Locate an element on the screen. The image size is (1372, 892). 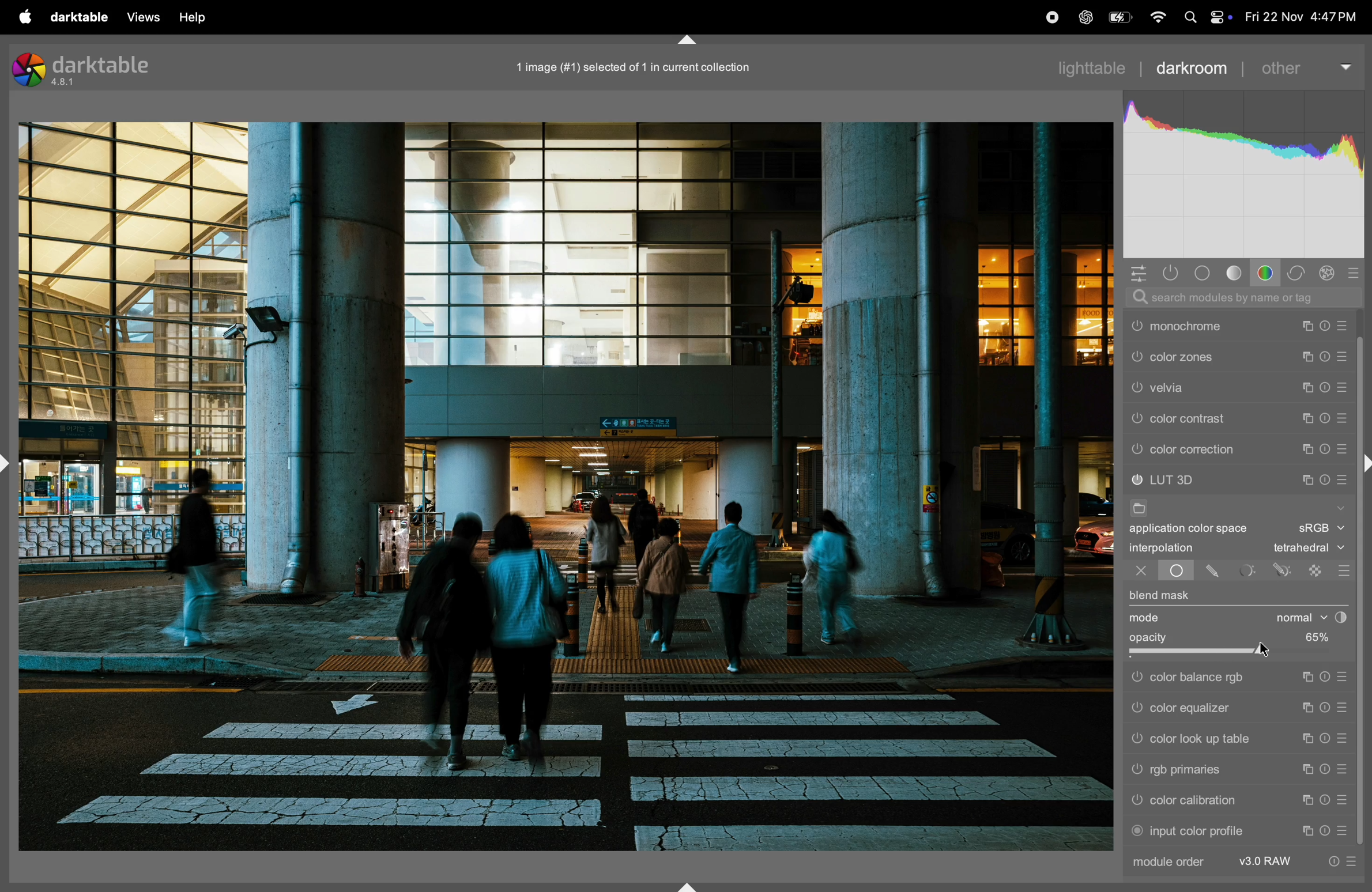
tone is located at coordinates (1234, 274).